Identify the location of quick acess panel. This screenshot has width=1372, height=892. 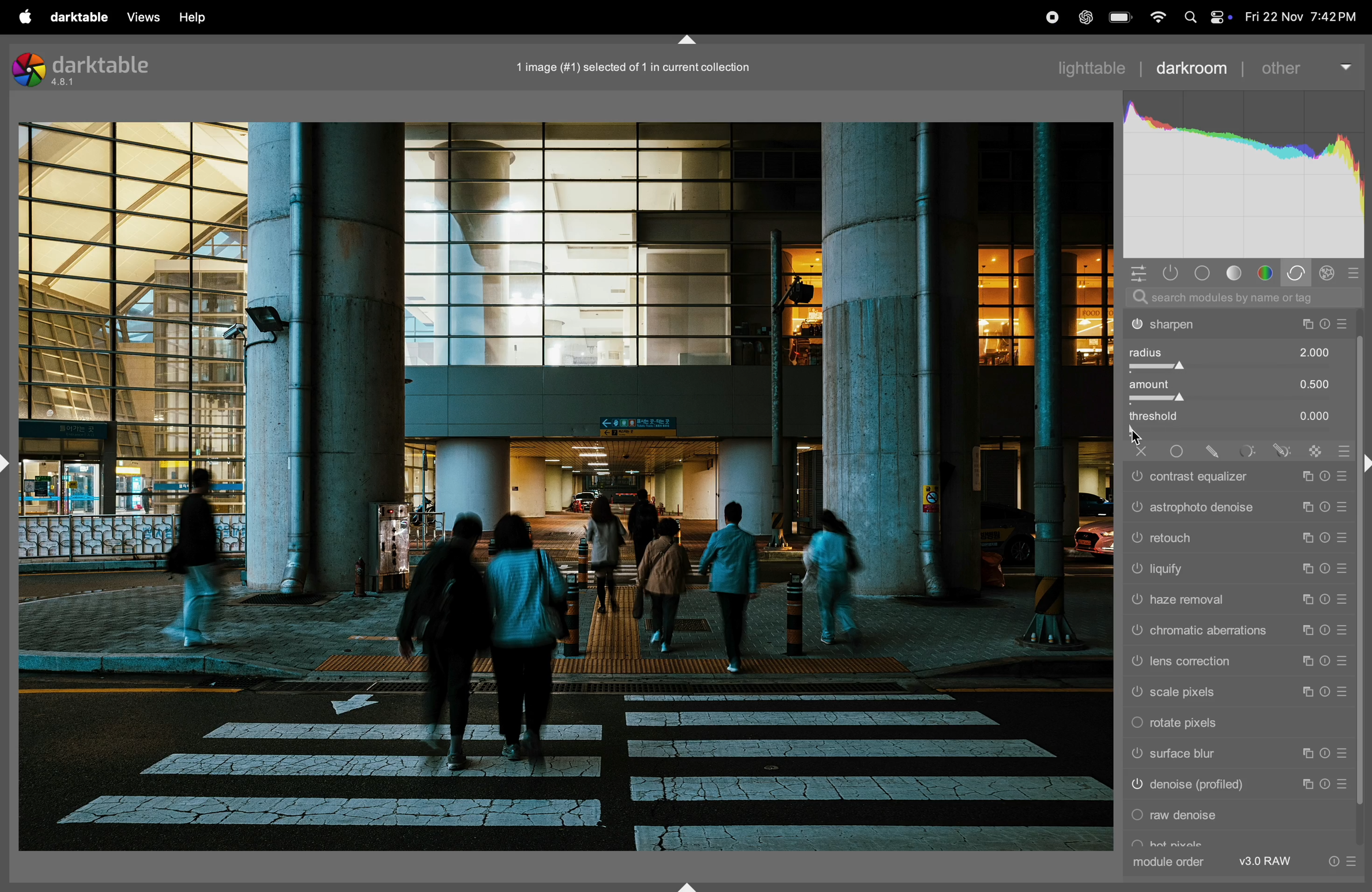
(1139, 273).